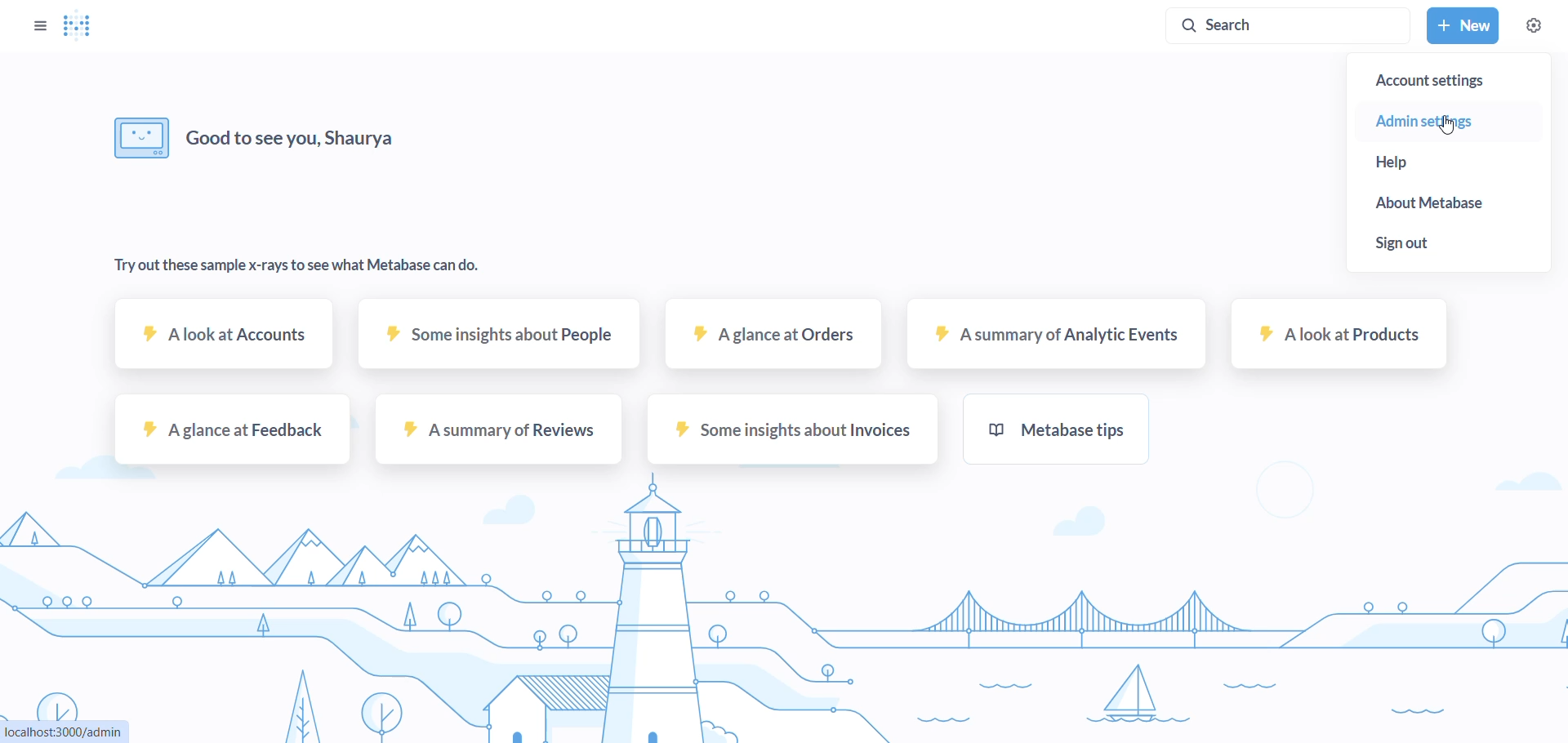  What do you see at coordinates (67, 731) in the screenshot?
I see `localhost:3000/admin` at bounding box center [67, 731].